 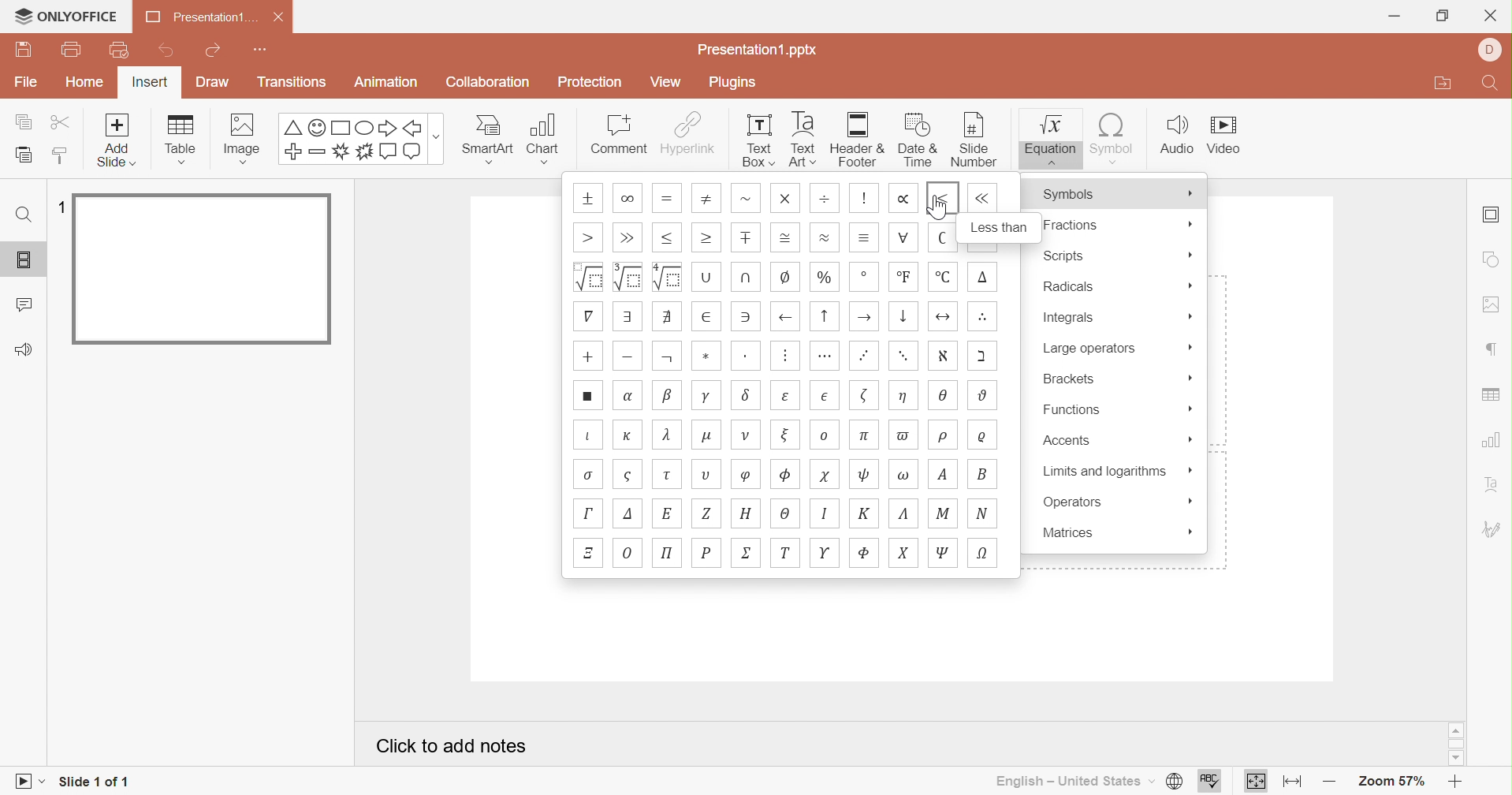 I want to click on Limits and algorithms, so click(x=1119, y=468).